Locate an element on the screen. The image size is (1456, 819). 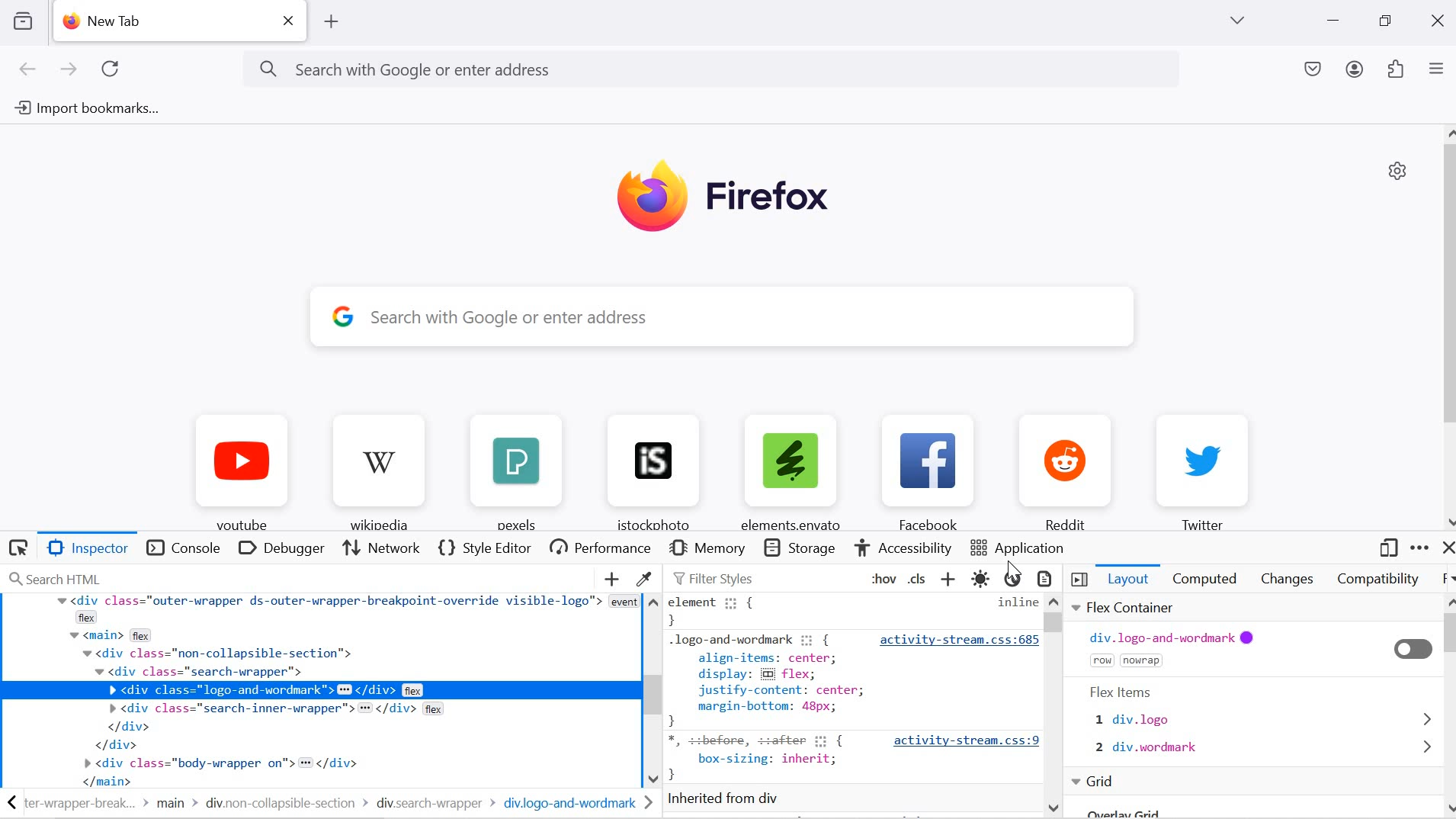
Toggle pseudo-classes is located at coordinates (884, 578).